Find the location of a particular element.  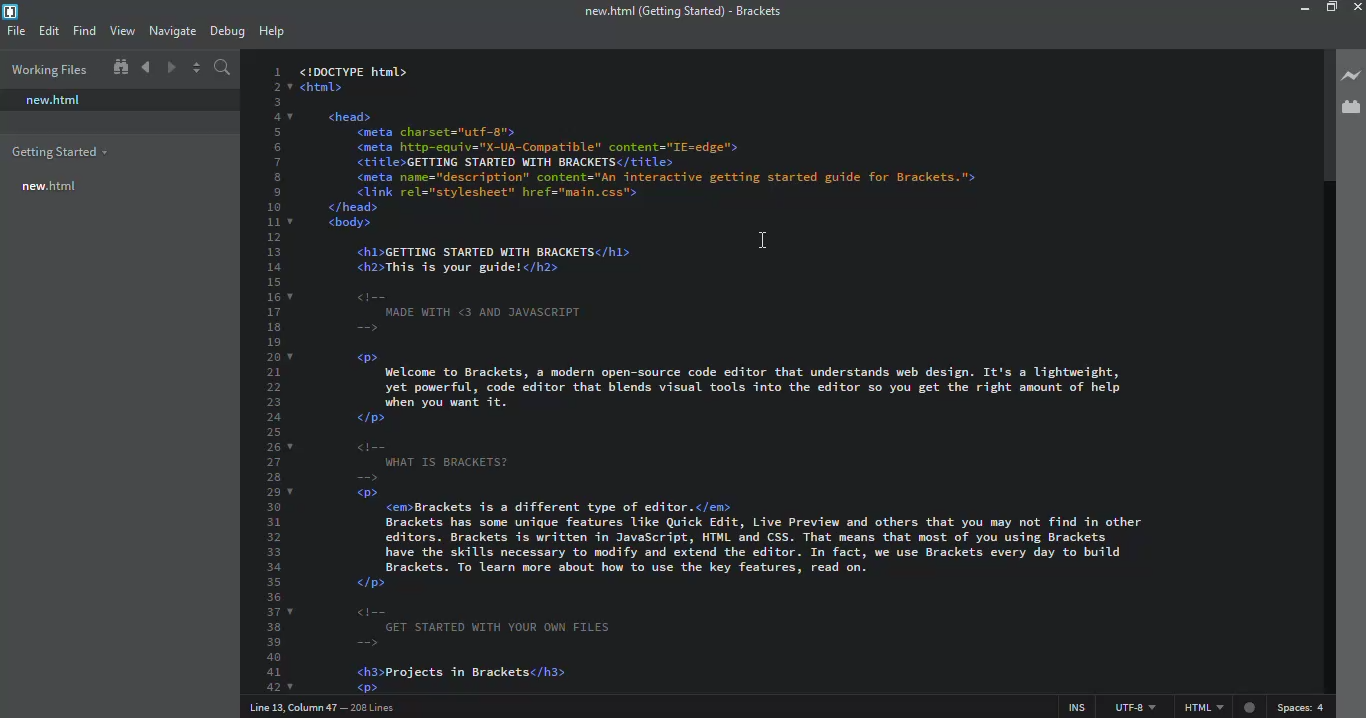

close is located at coordinates (1355, 7).